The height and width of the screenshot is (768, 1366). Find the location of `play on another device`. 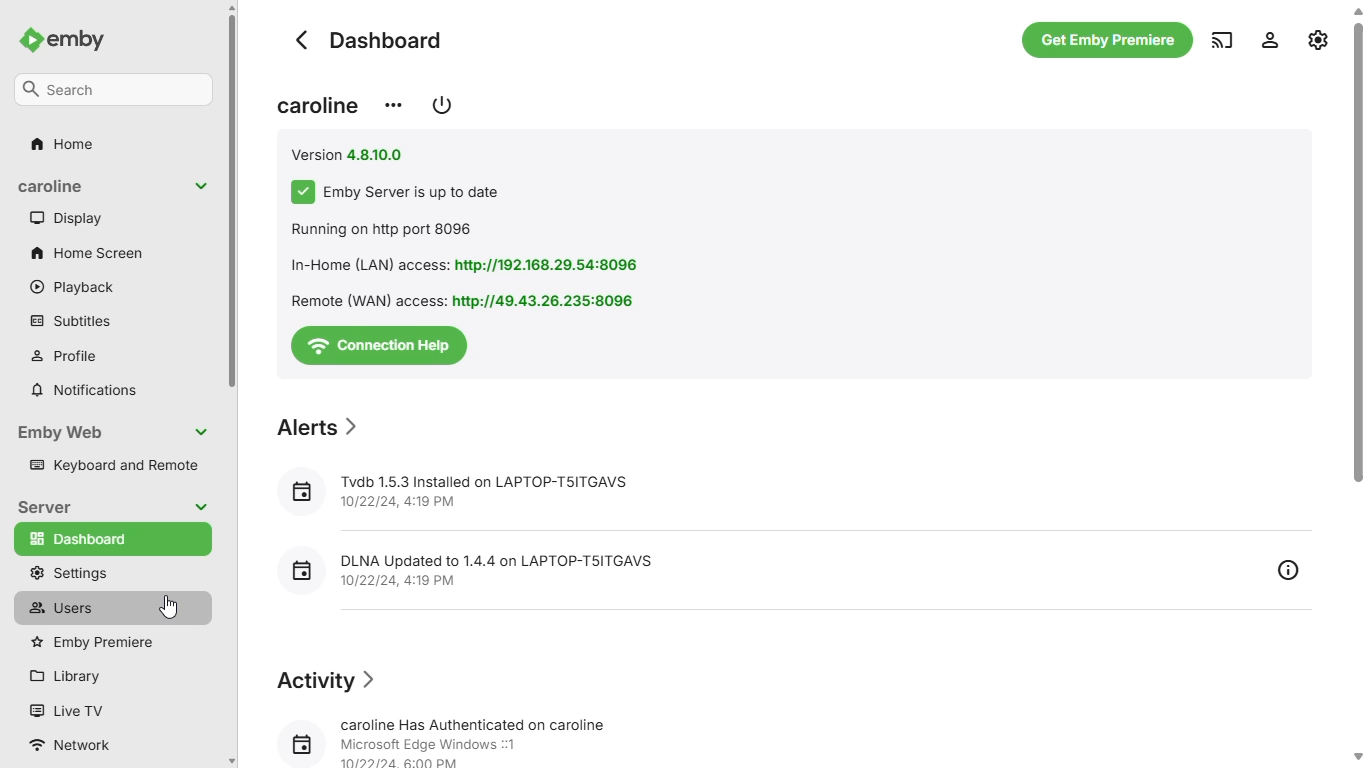

play on another device is located at coordinates (1223, 39).